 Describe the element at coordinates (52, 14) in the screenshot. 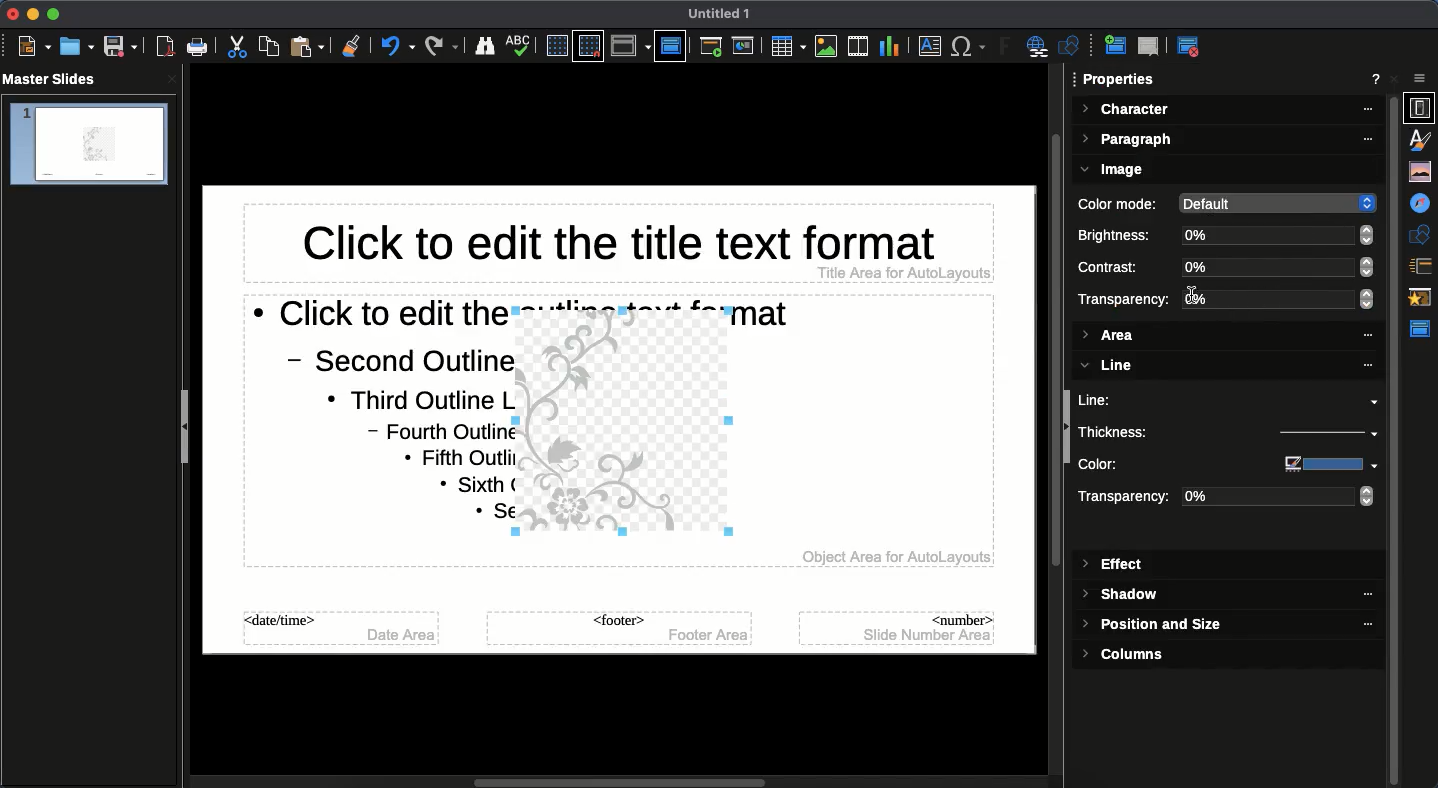

I see `Maximize` at that location.